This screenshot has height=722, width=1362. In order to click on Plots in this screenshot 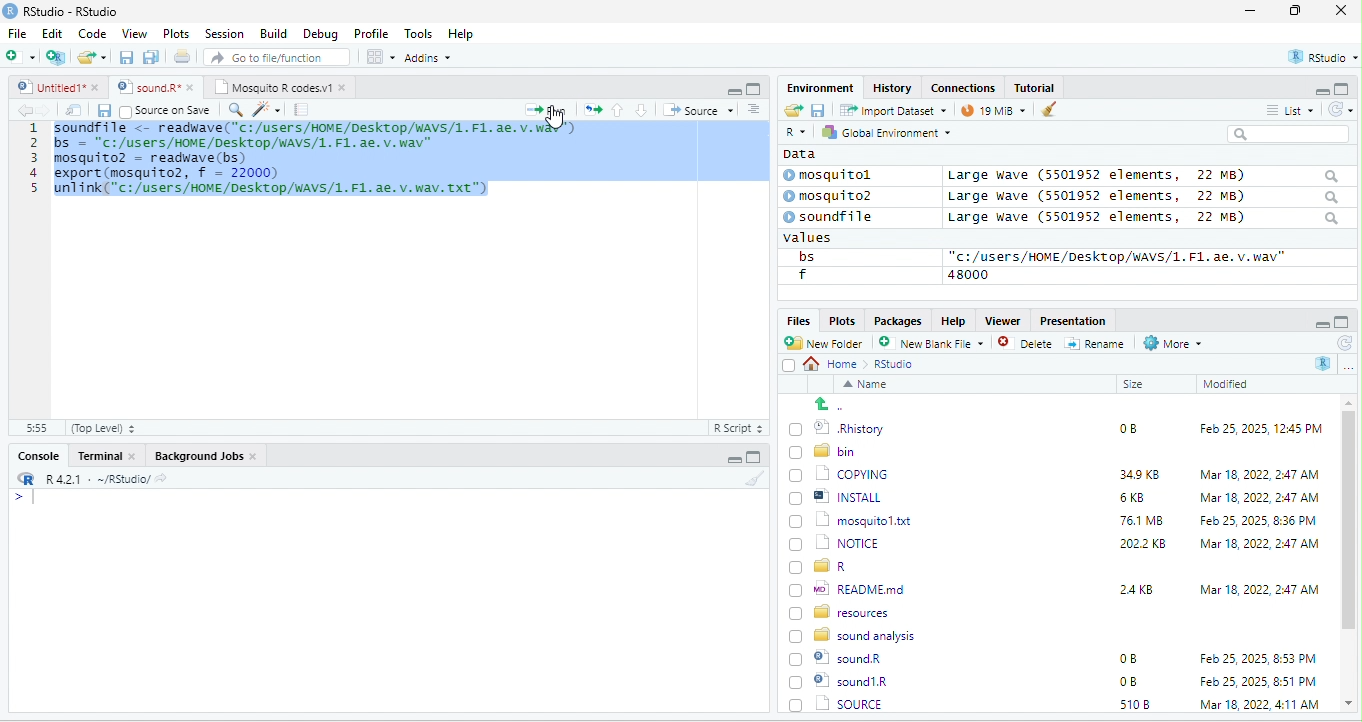, I will do `click(177, 33)`.